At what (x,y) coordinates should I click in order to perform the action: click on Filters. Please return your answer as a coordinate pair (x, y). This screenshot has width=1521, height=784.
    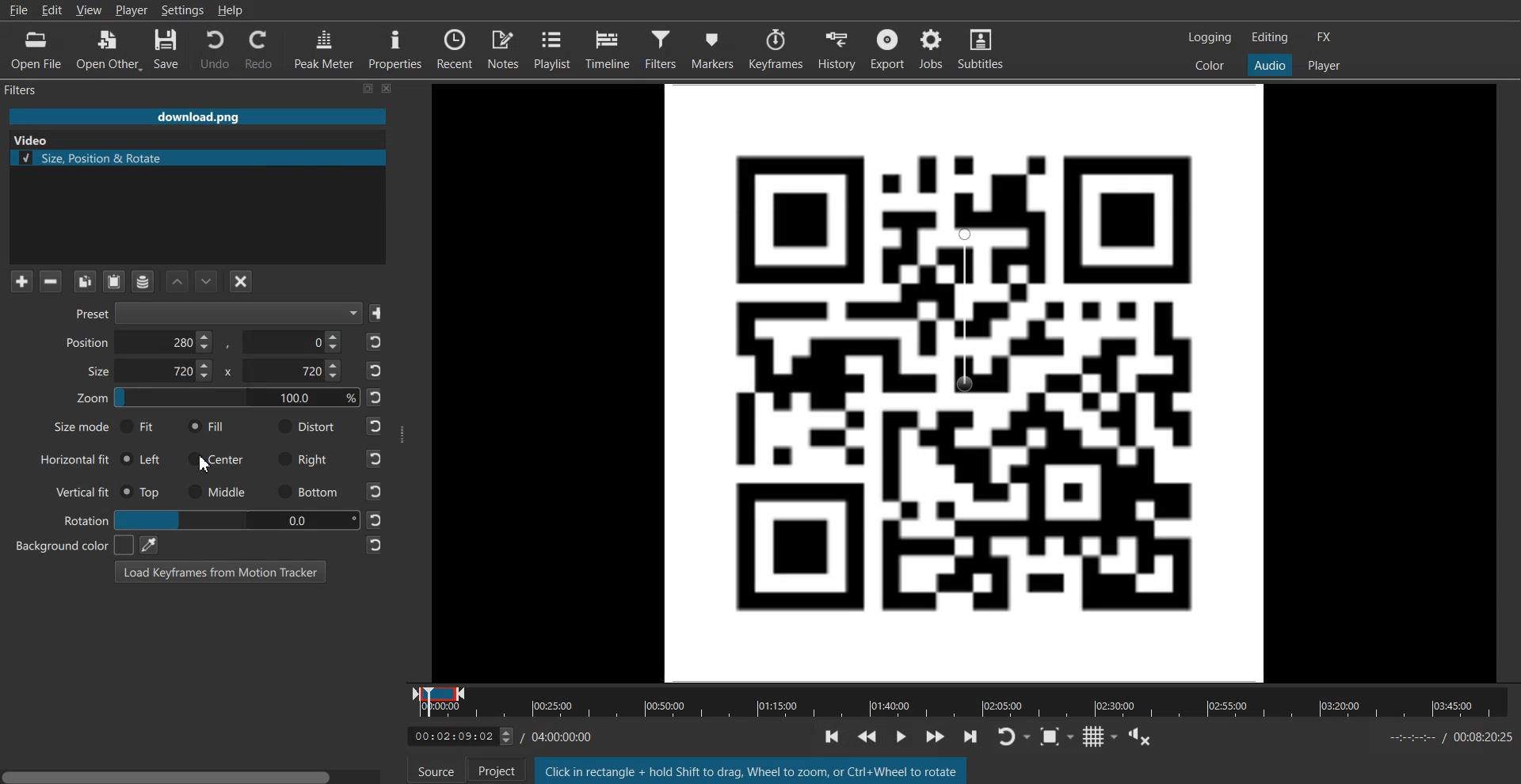
    Looking at the image, I should click on (663, 48).